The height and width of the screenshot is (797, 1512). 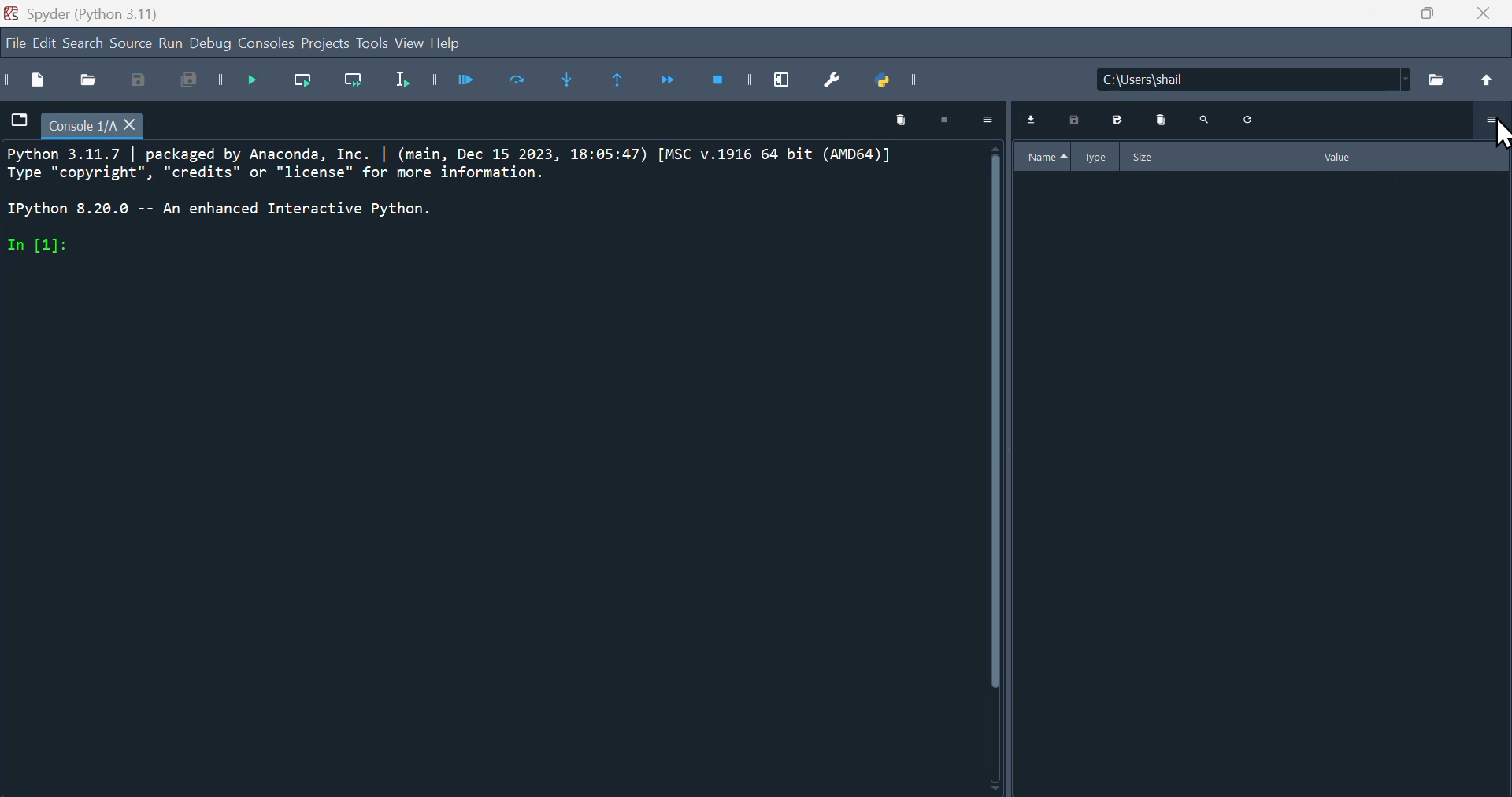 What do you see at coordinates (1498, 132) in the screenshot?
I see `cursor on more options` at bounding box center [1498, 132].